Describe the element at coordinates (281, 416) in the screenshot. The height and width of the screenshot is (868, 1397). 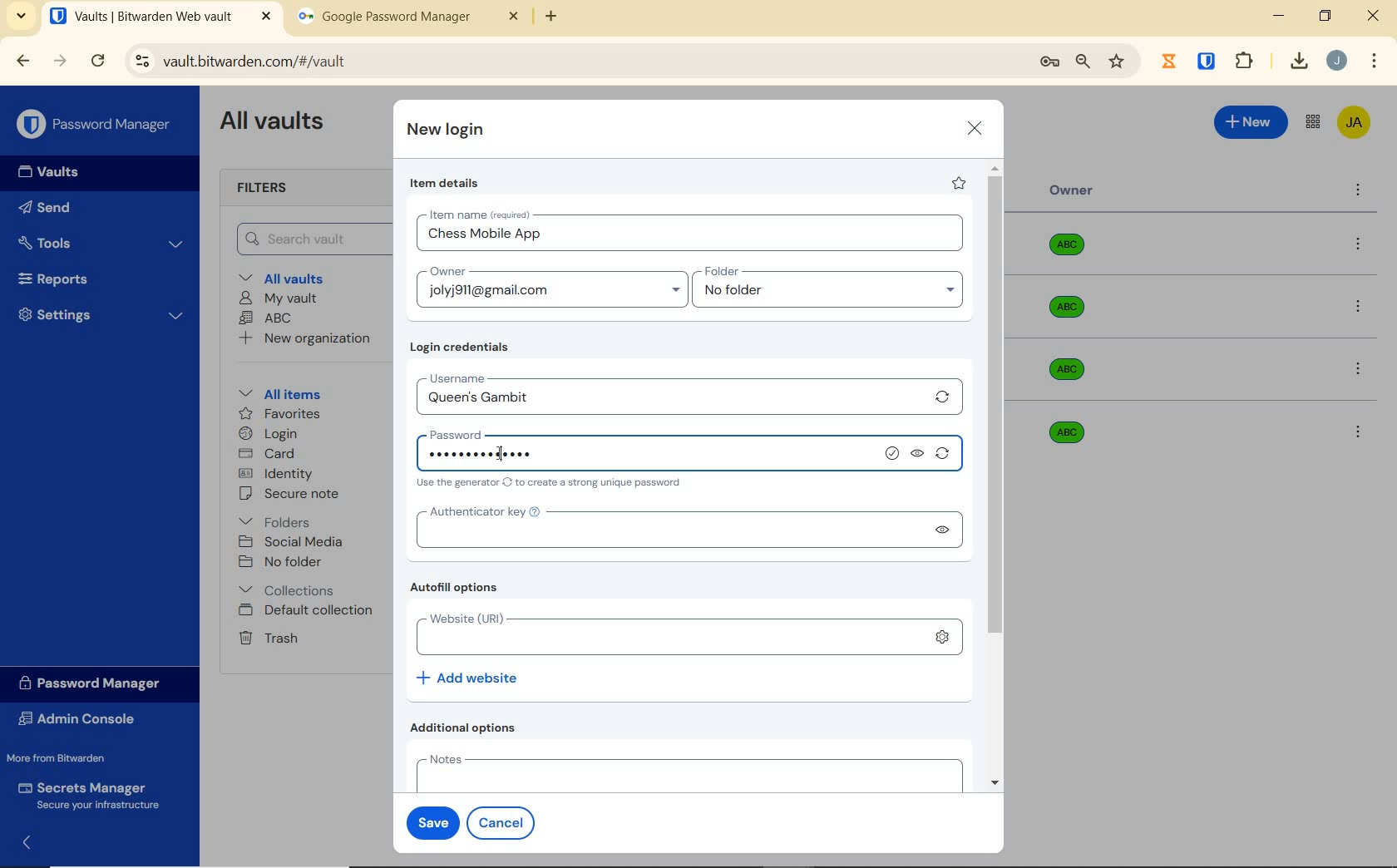
I see `favorites` at that location.